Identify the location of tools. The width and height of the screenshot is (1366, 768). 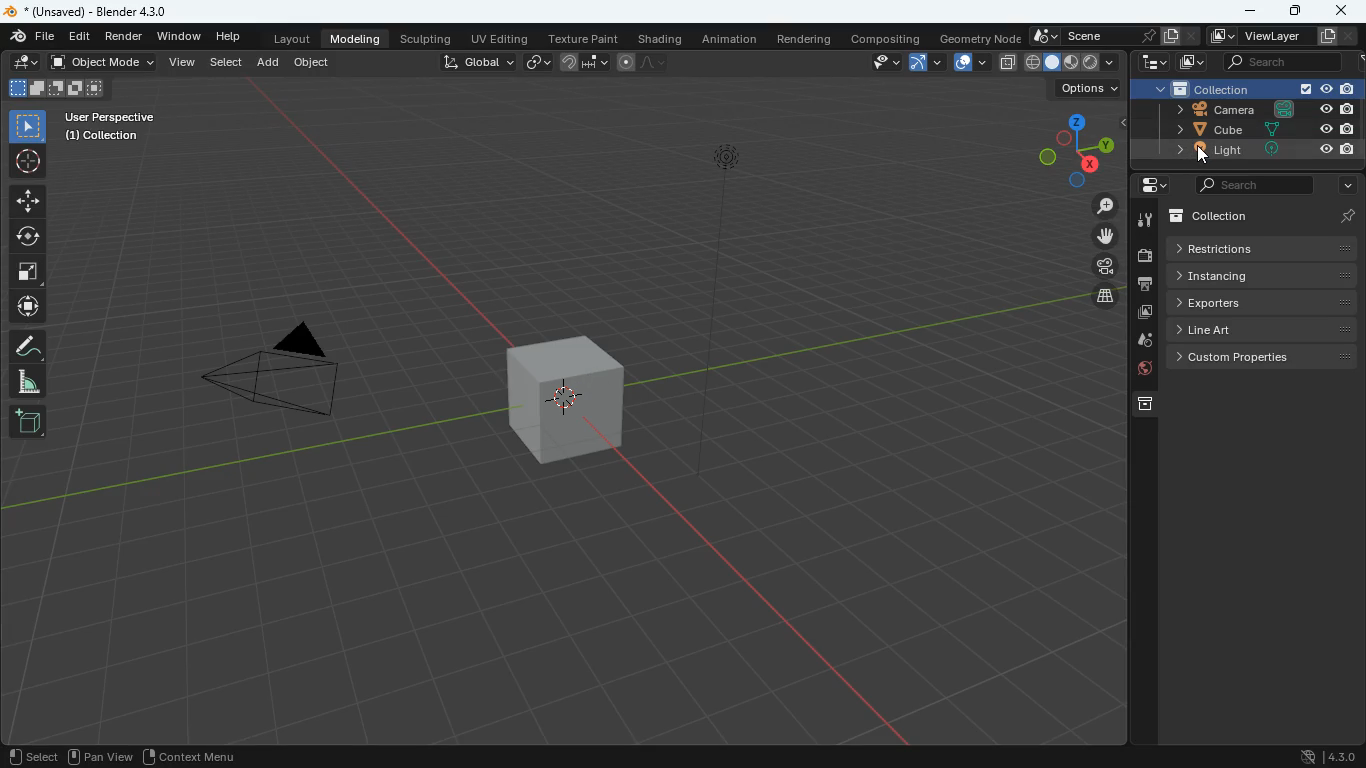
(1144, 221).